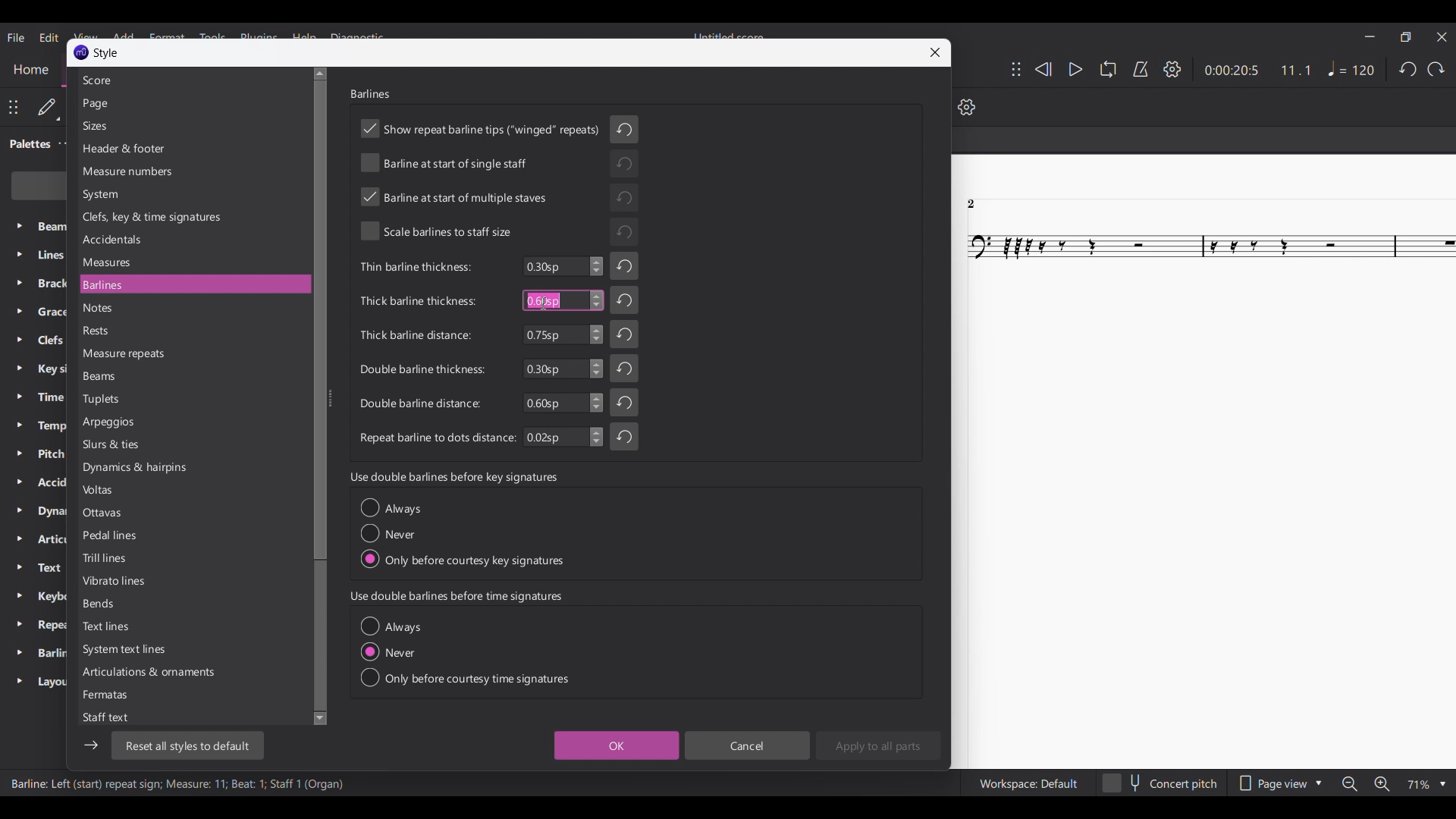 The width and height of the screenshot is (1456, 819). I want to click on Expand, so click(19, 454).